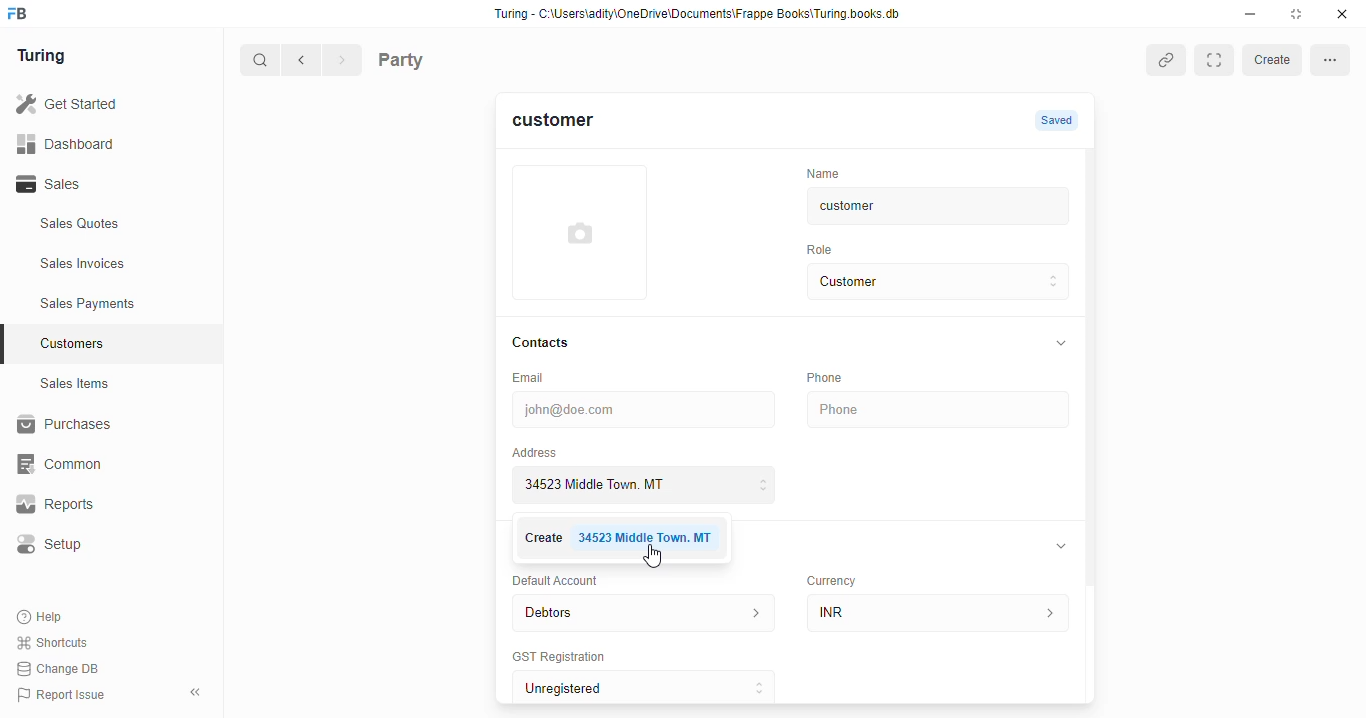 This screenshot has width=1366, height=718. What do you see at coordinates (123, 341) in the screenshot?
I see `Customers` at bounding box center [123, 341].